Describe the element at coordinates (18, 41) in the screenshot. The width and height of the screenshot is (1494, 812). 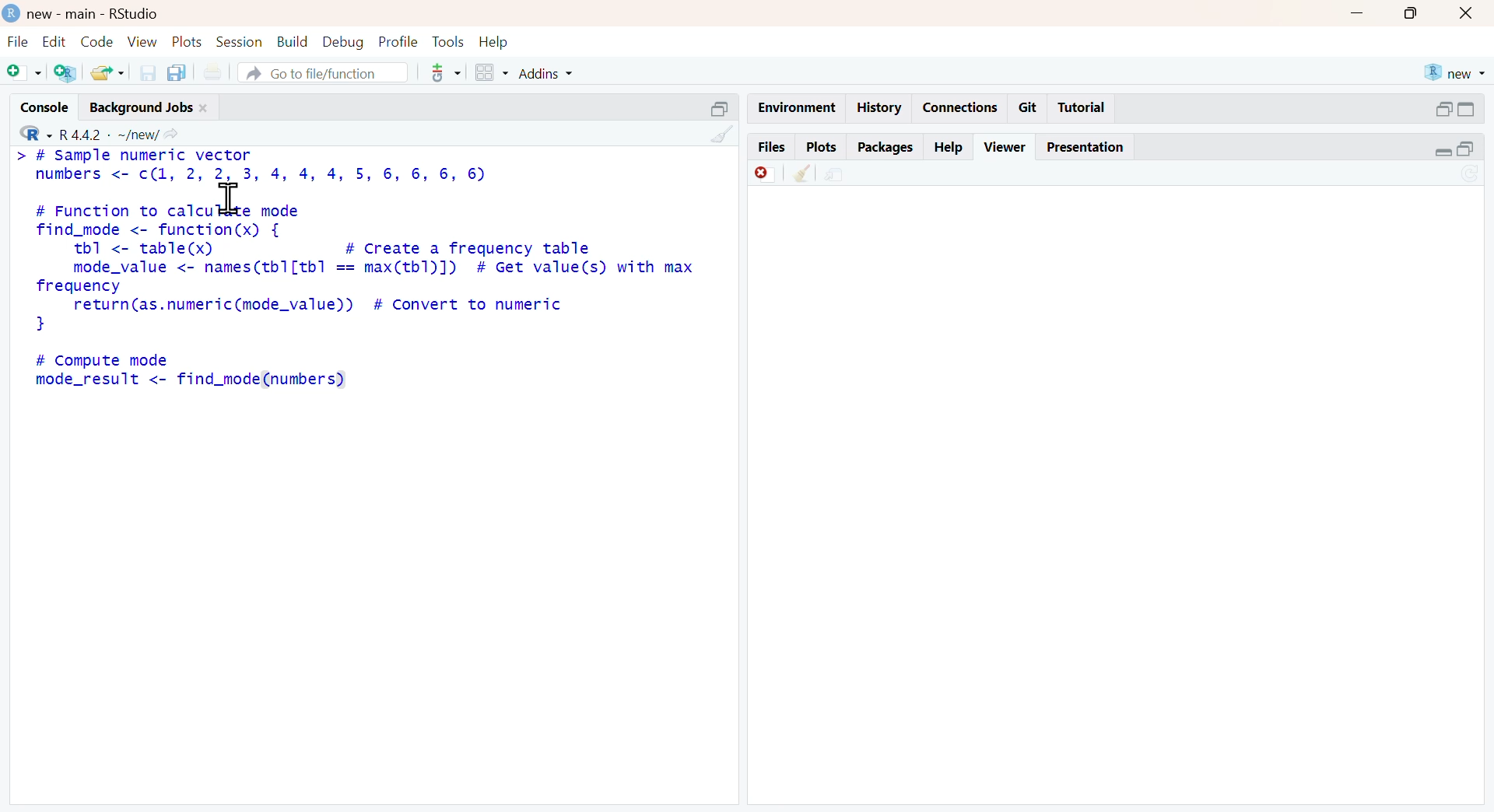
I see `file` at that location.